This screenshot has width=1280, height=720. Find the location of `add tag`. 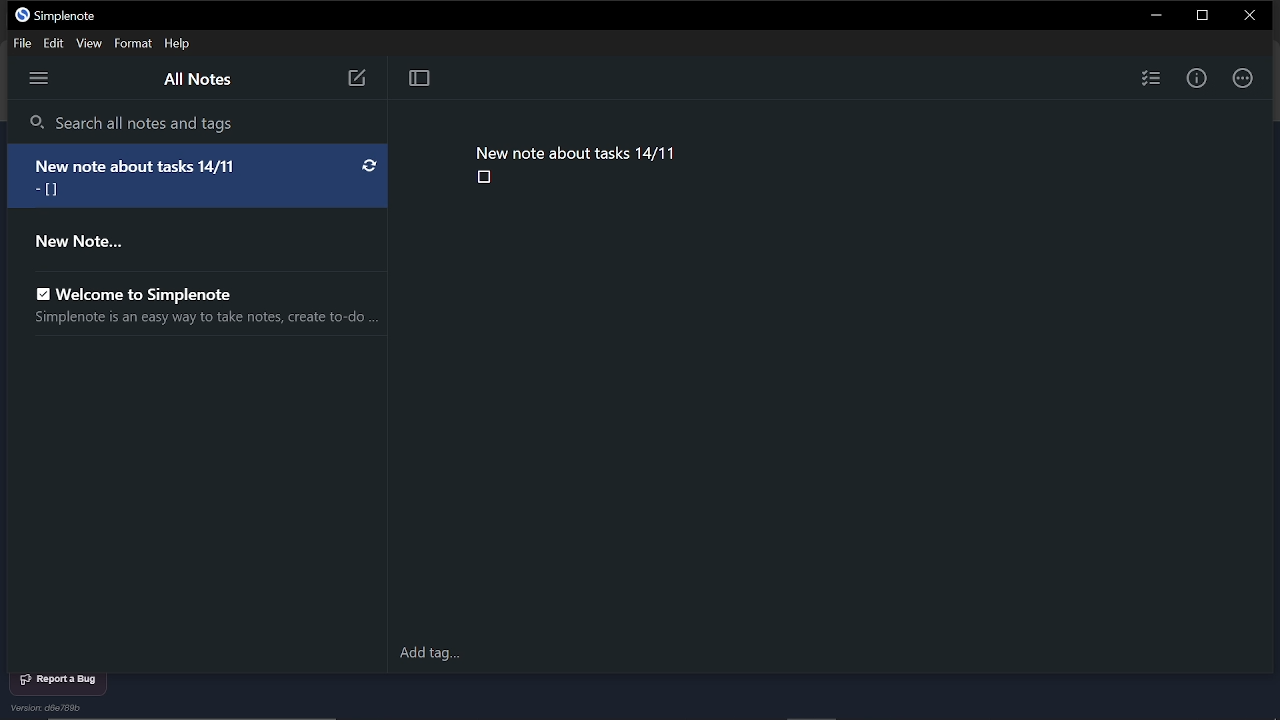

add tag is located at coordinates (439, 654).